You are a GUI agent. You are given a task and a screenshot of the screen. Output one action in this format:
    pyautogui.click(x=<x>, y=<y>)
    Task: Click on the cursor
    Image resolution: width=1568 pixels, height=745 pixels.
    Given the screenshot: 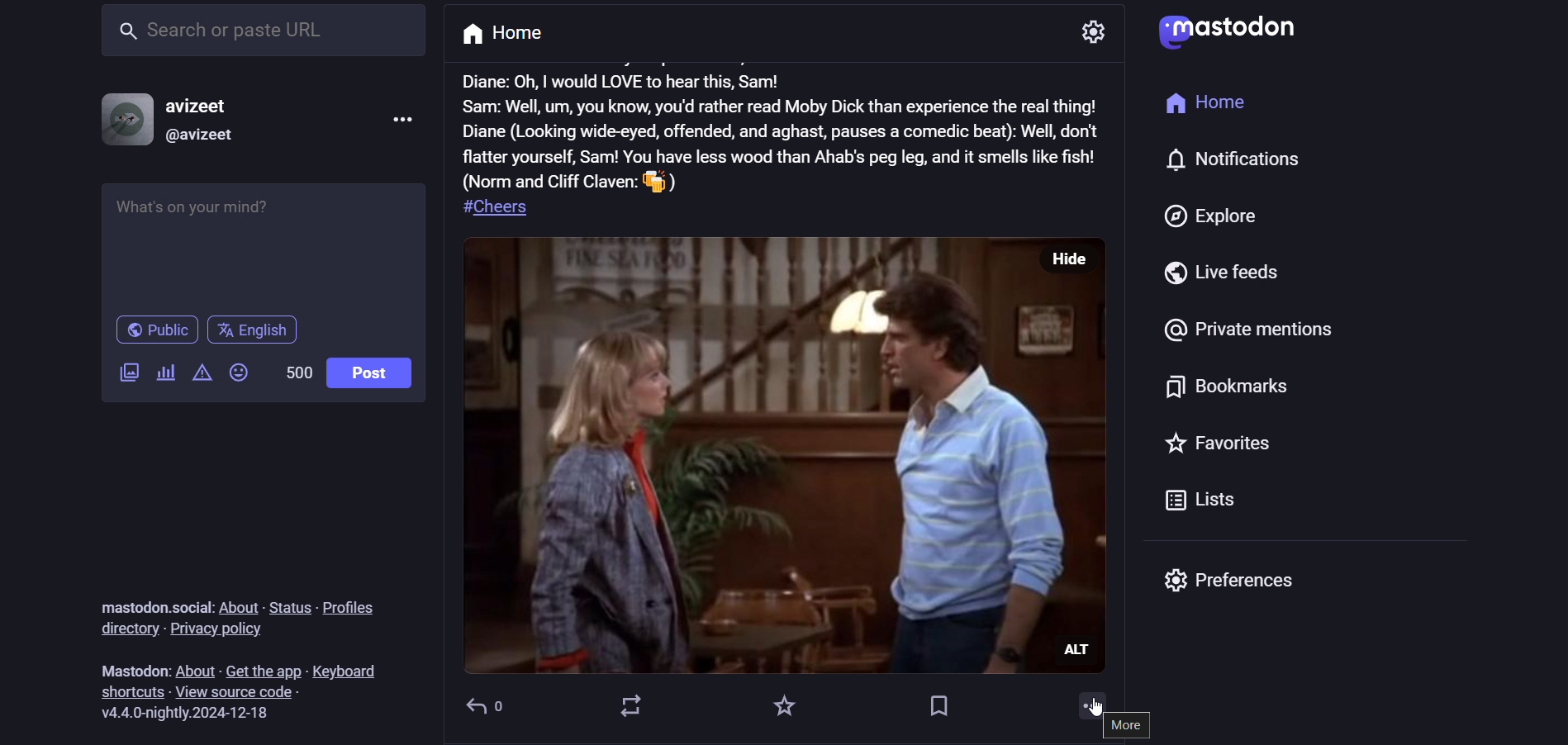 What is the action you would take?
    pyautogui.click(x=1095, y=707)
    